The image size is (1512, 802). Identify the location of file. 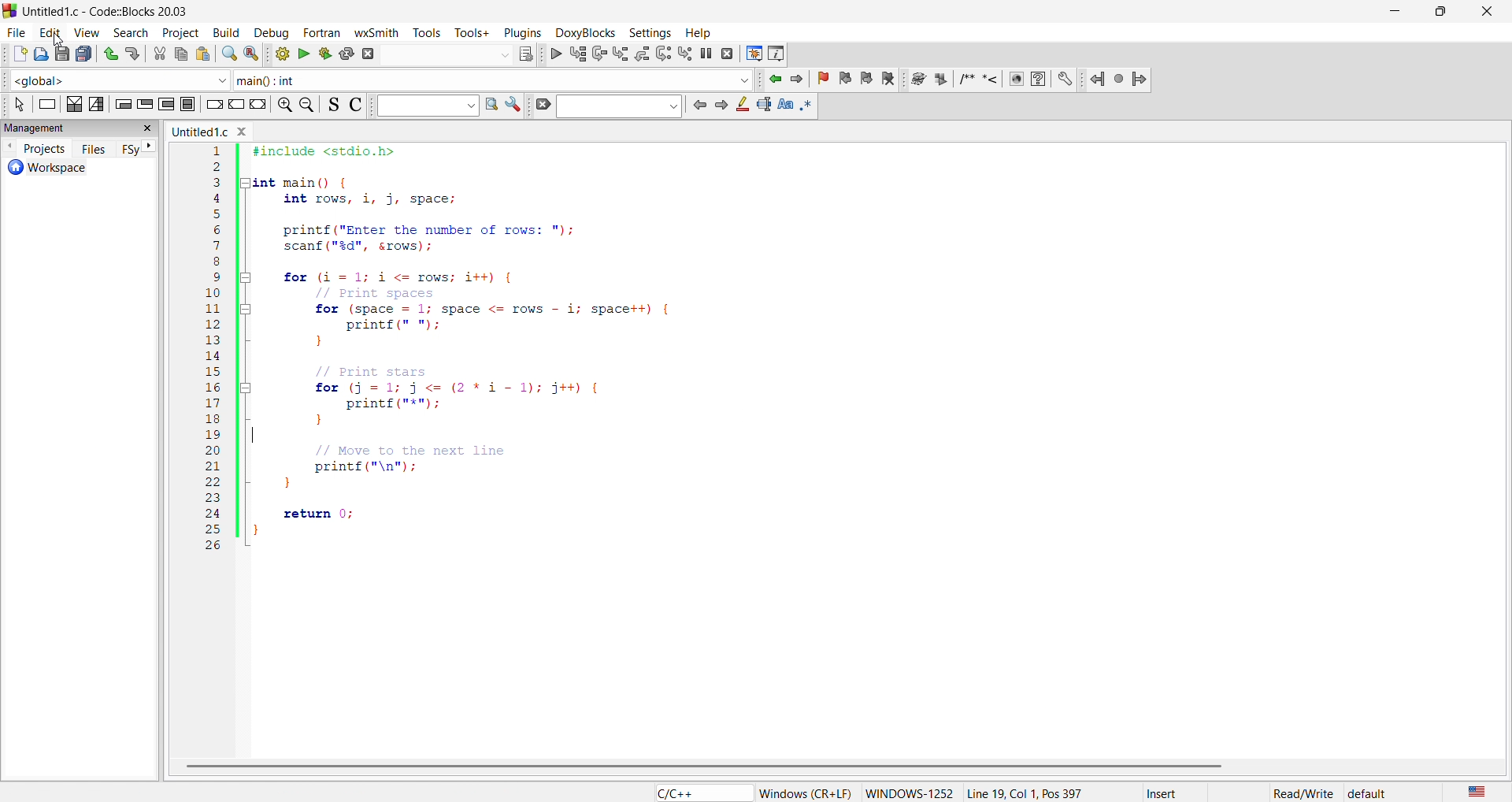
(14, 30).